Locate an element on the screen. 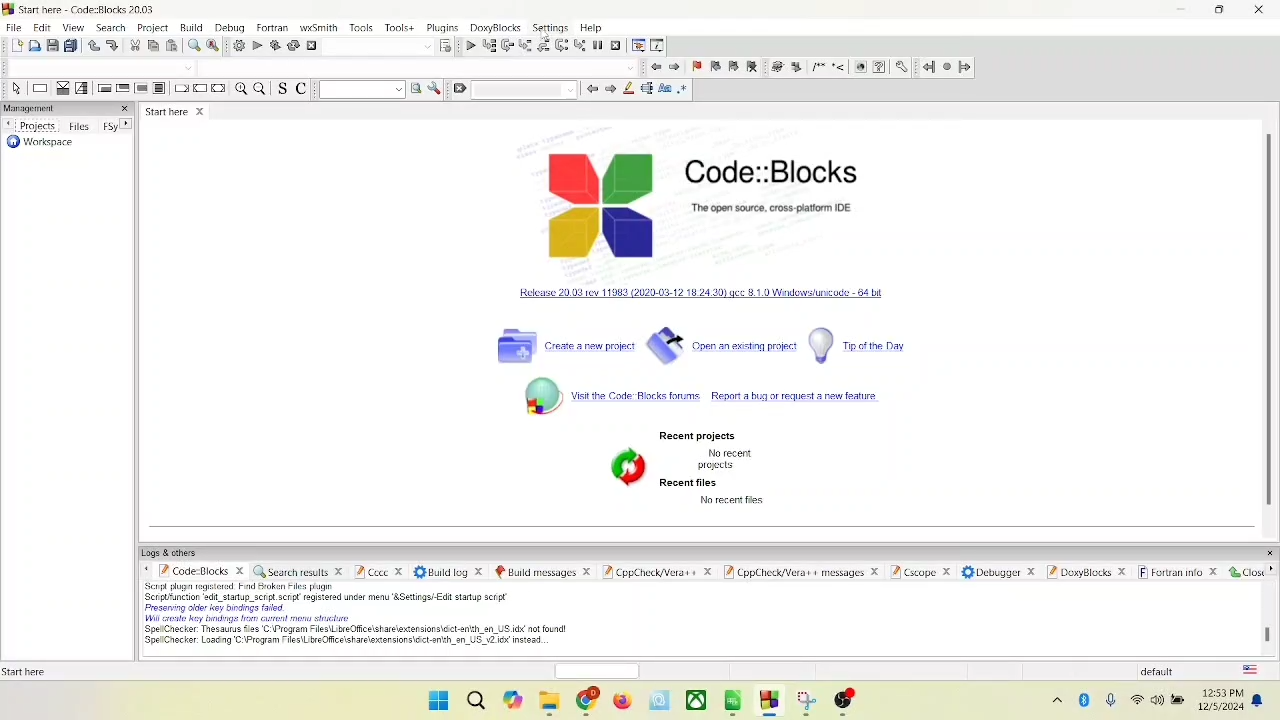  new is located at coordinates (13, 45).